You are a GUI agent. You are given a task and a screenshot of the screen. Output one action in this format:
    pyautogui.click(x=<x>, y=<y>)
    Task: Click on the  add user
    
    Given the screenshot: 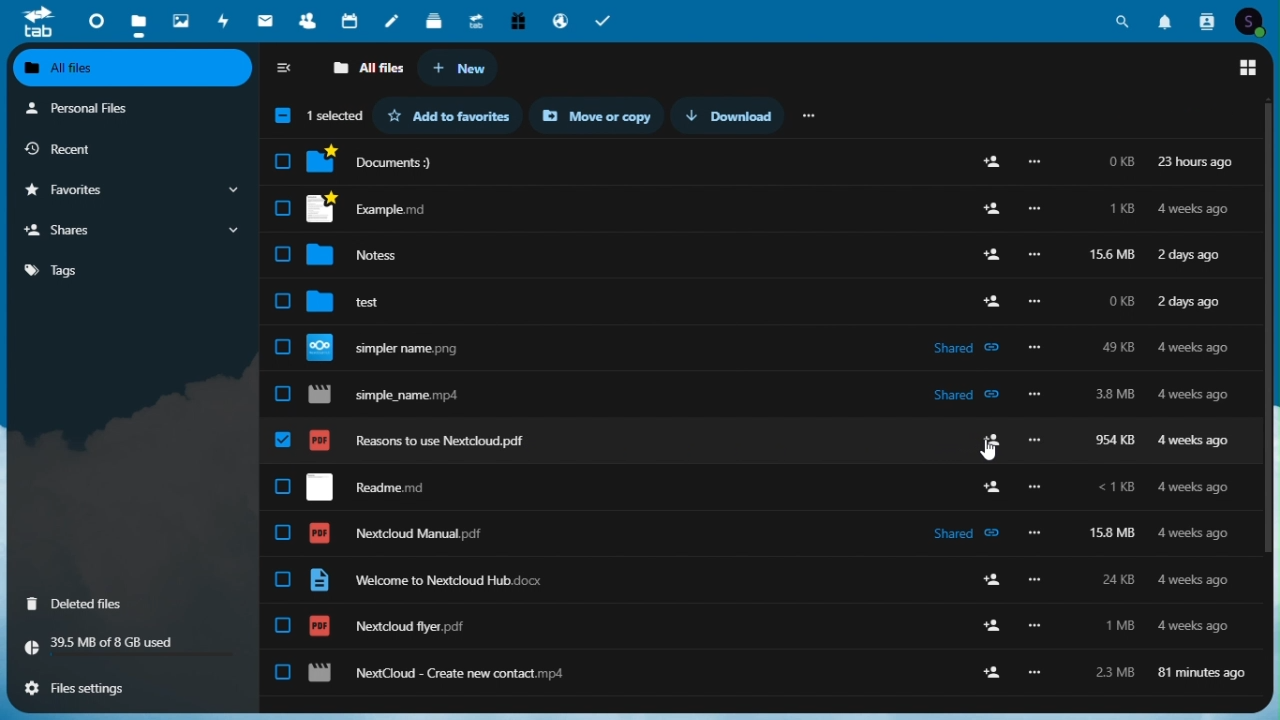 What is the action you would take?
    pyautogui.click(x=992, y=671)
    